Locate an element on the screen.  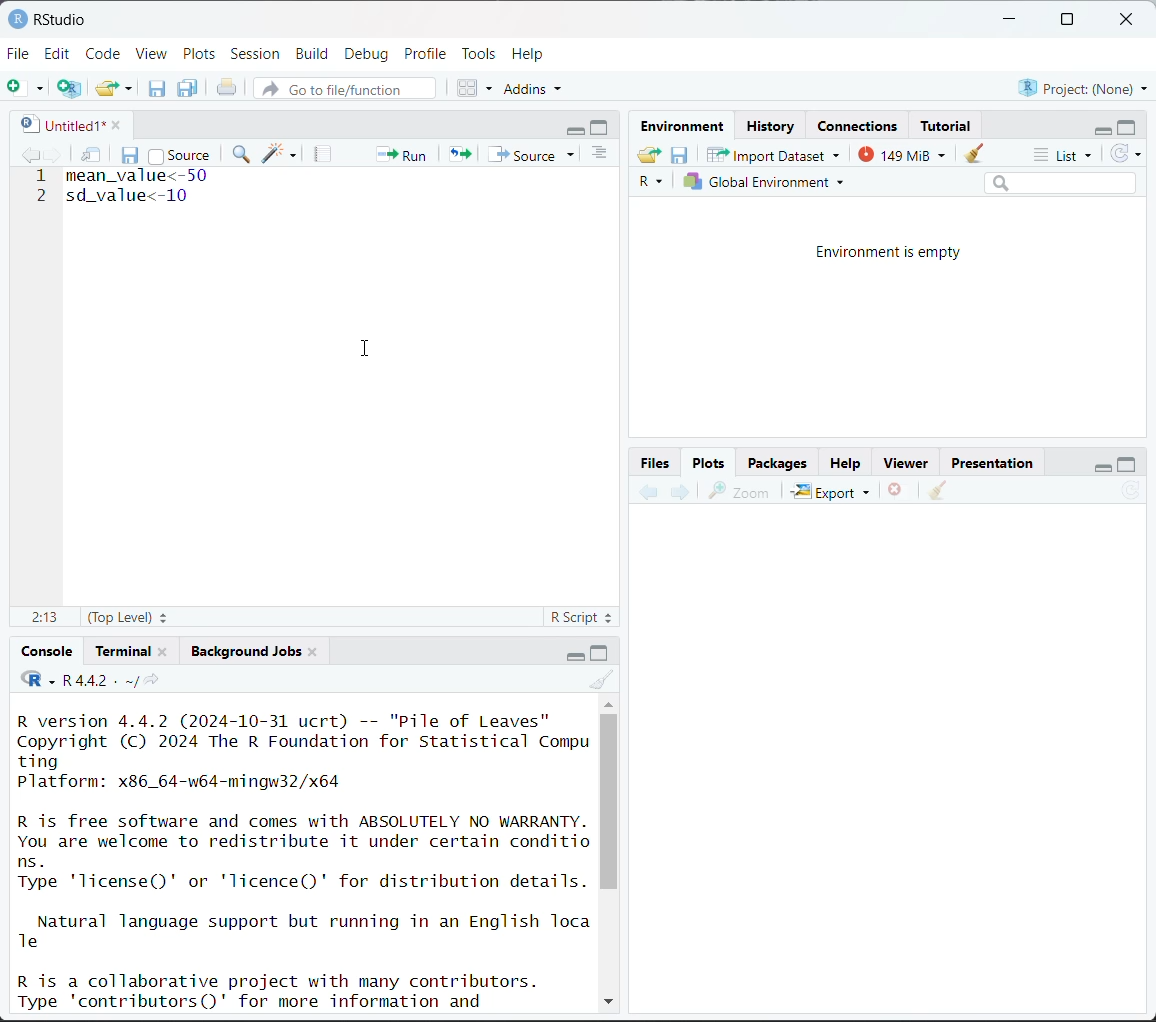
save current document is located at coordinates (131, 153).